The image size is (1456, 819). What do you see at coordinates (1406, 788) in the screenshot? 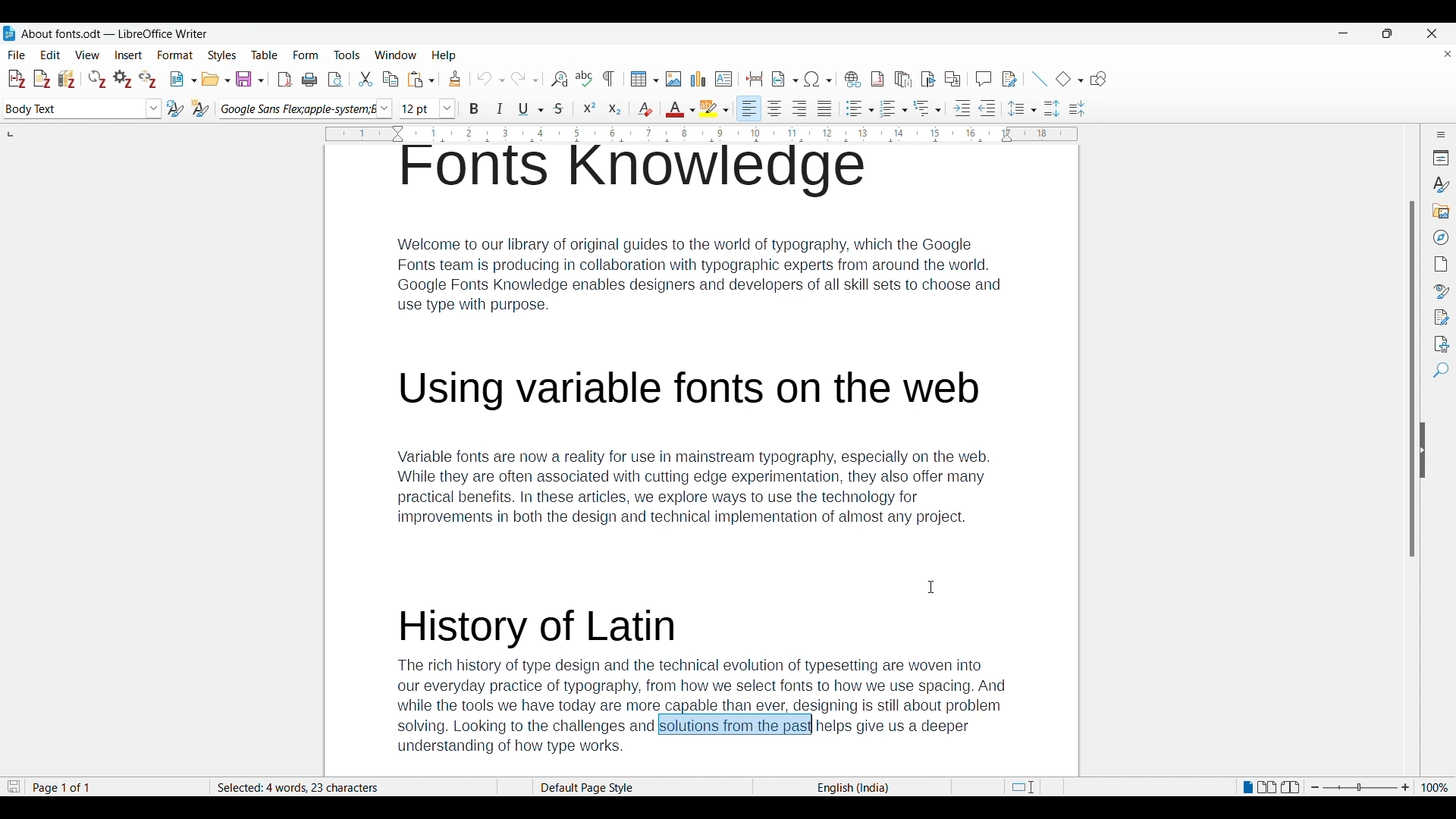
I see `Zoom in` at bounding box center [1406, 788].